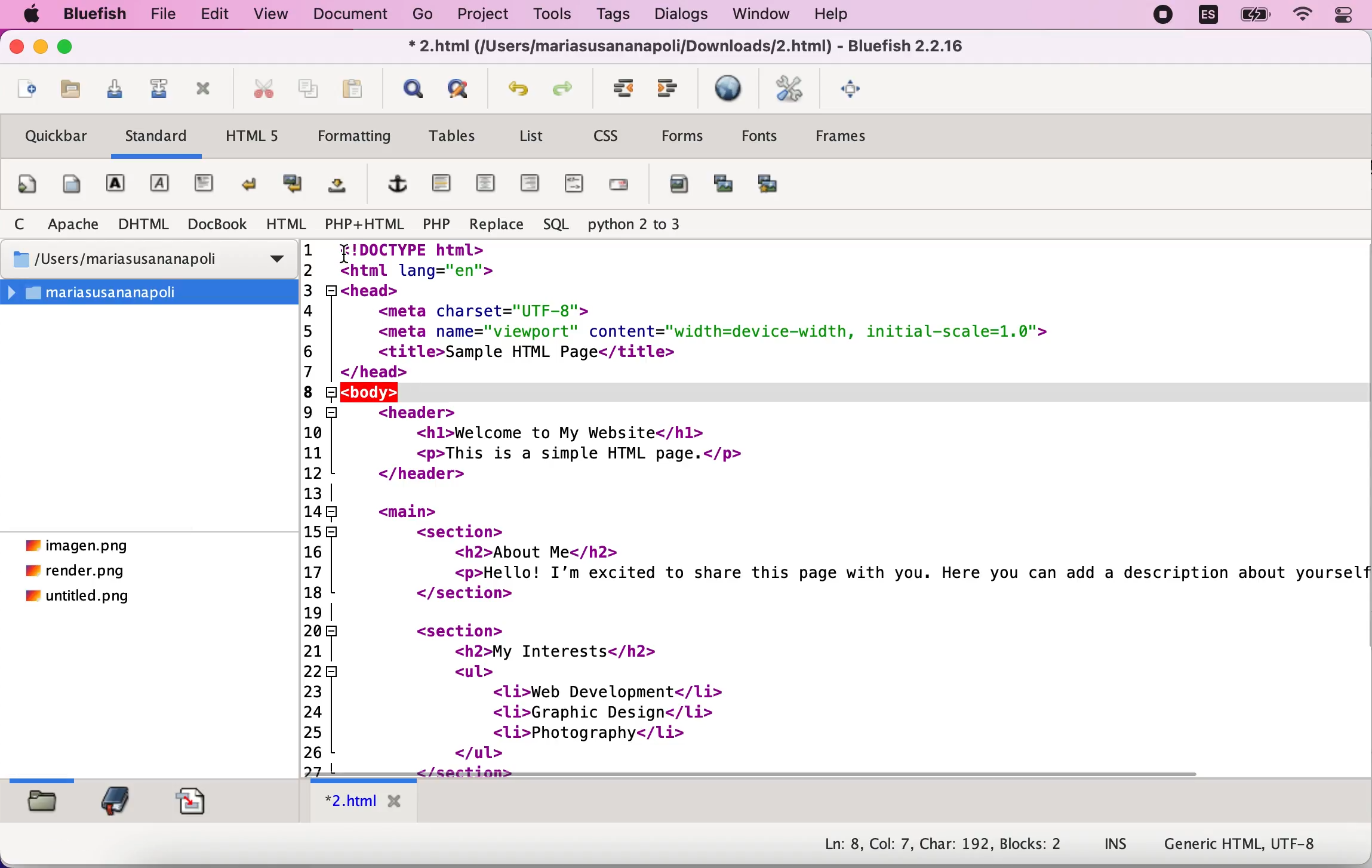 Image resolution: width=1372 pixels, height=868 pixels. Describe the element at coordinates (69, 184) in the screenshot. I see `body` at that location.